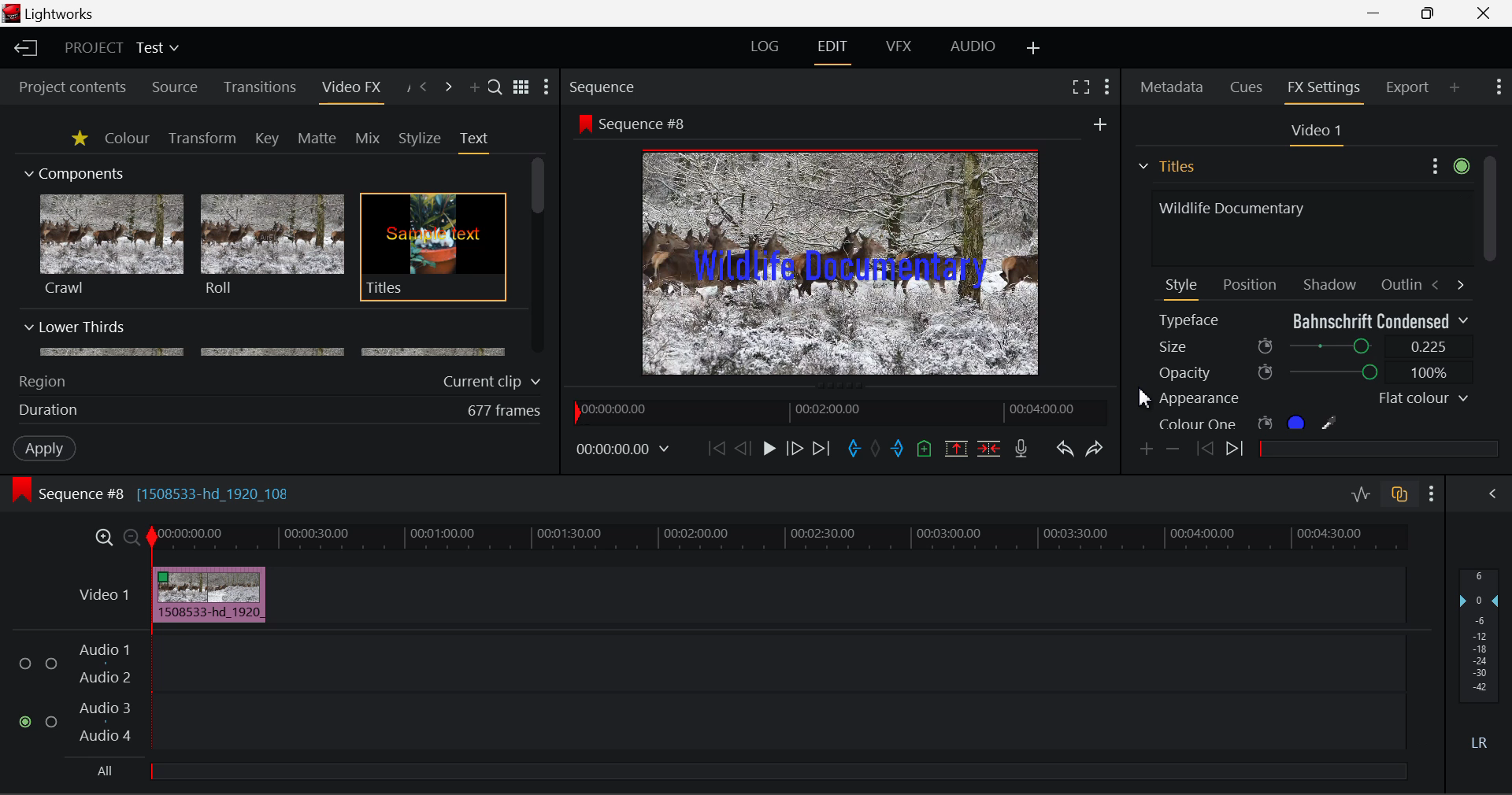  Describe the element at coordinates (1183, 288) in the screenshot. I see `Style Tab Open` at that location.